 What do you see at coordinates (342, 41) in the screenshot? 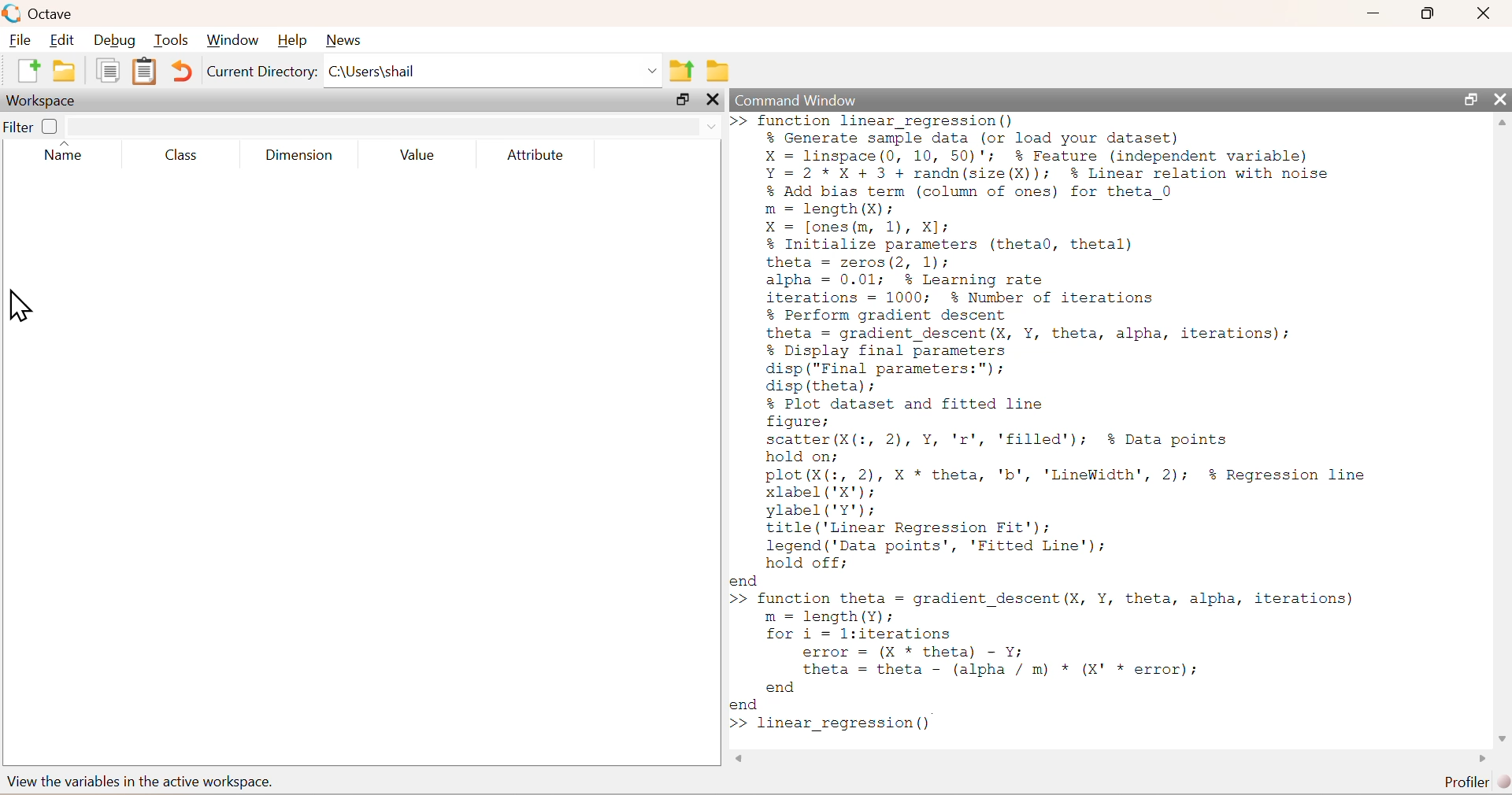
I see `News` at bounding box center [342, 41].